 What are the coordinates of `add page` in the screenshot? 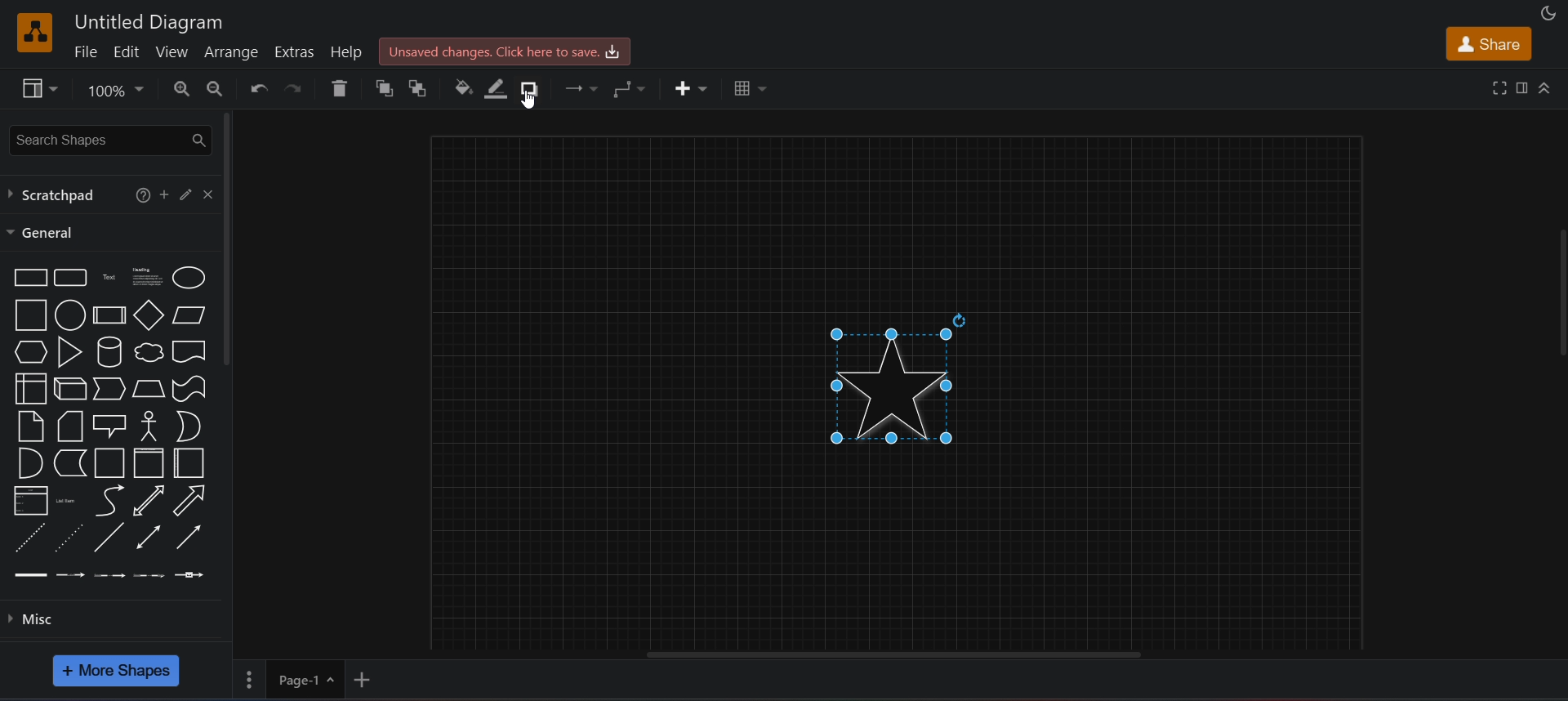 It's located at (370, 678).